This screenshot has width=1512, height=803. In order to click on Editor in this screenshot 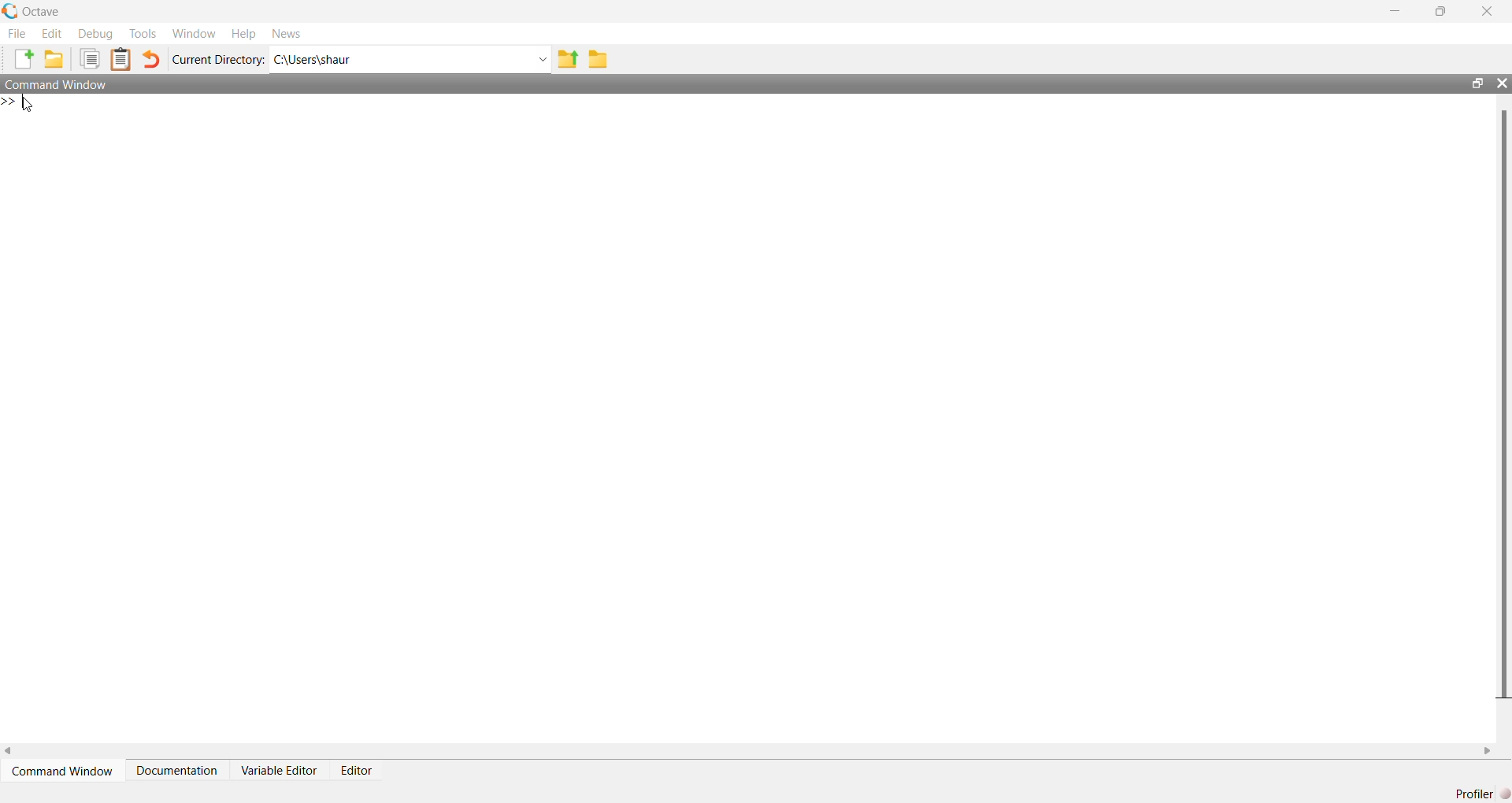, I will do `click(358, 771)`.